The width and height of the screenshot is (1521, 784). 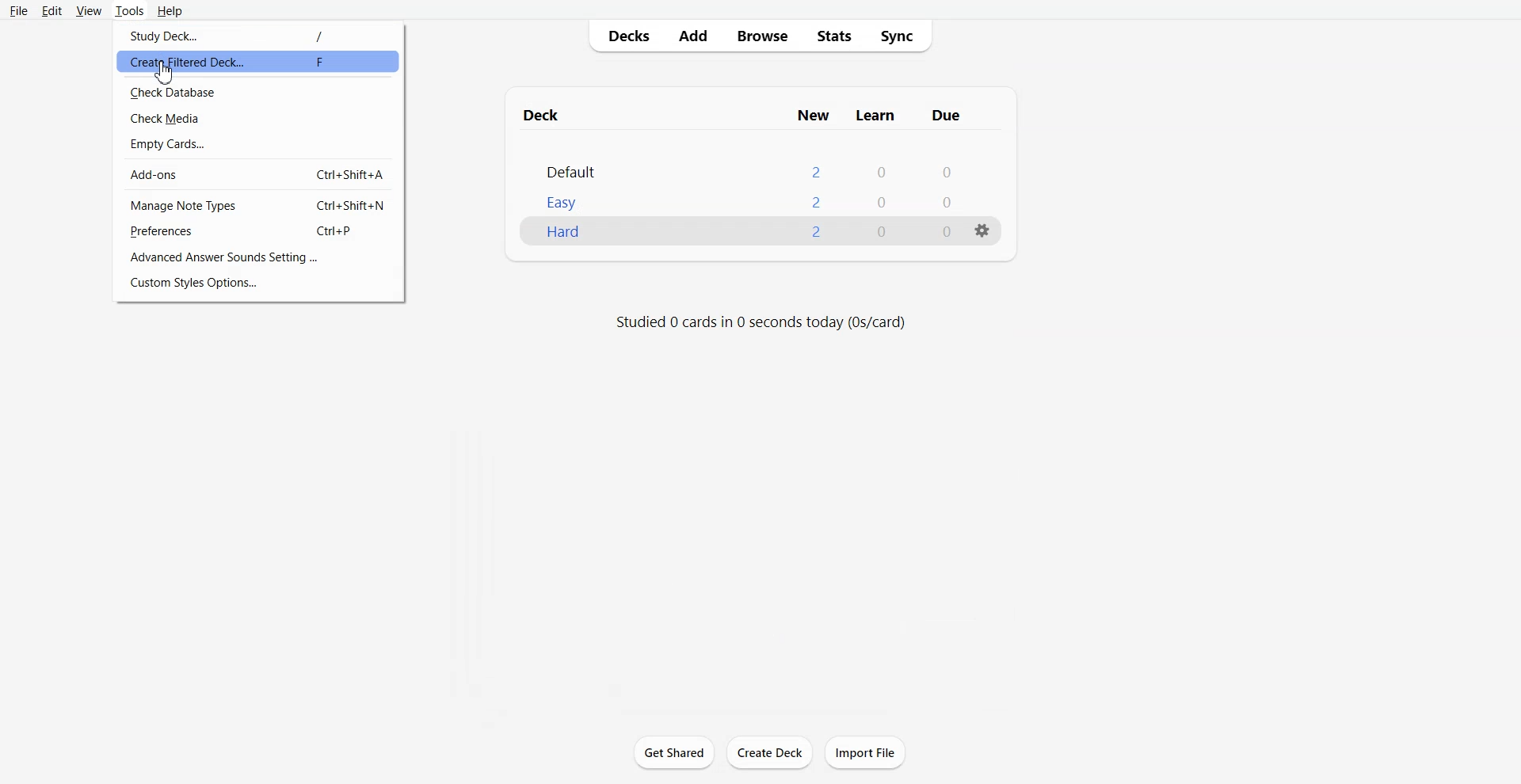 What do you see at coordinates (740, 113) in the screenshot?
I see `Text 1` at bounding box center [740, 113].